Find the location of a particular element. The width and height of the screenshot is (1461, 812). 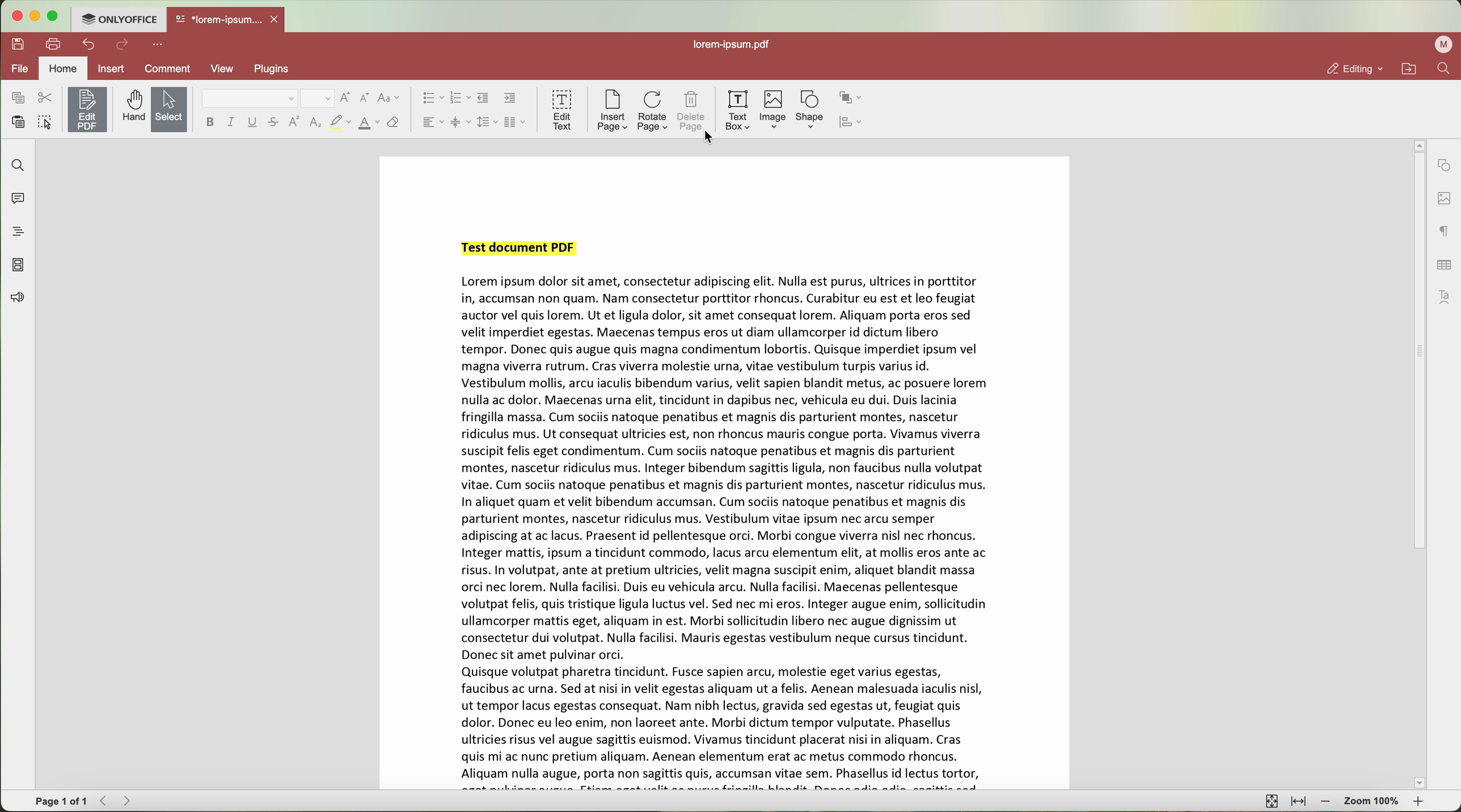

profile is located at coordinates (1443, 44).